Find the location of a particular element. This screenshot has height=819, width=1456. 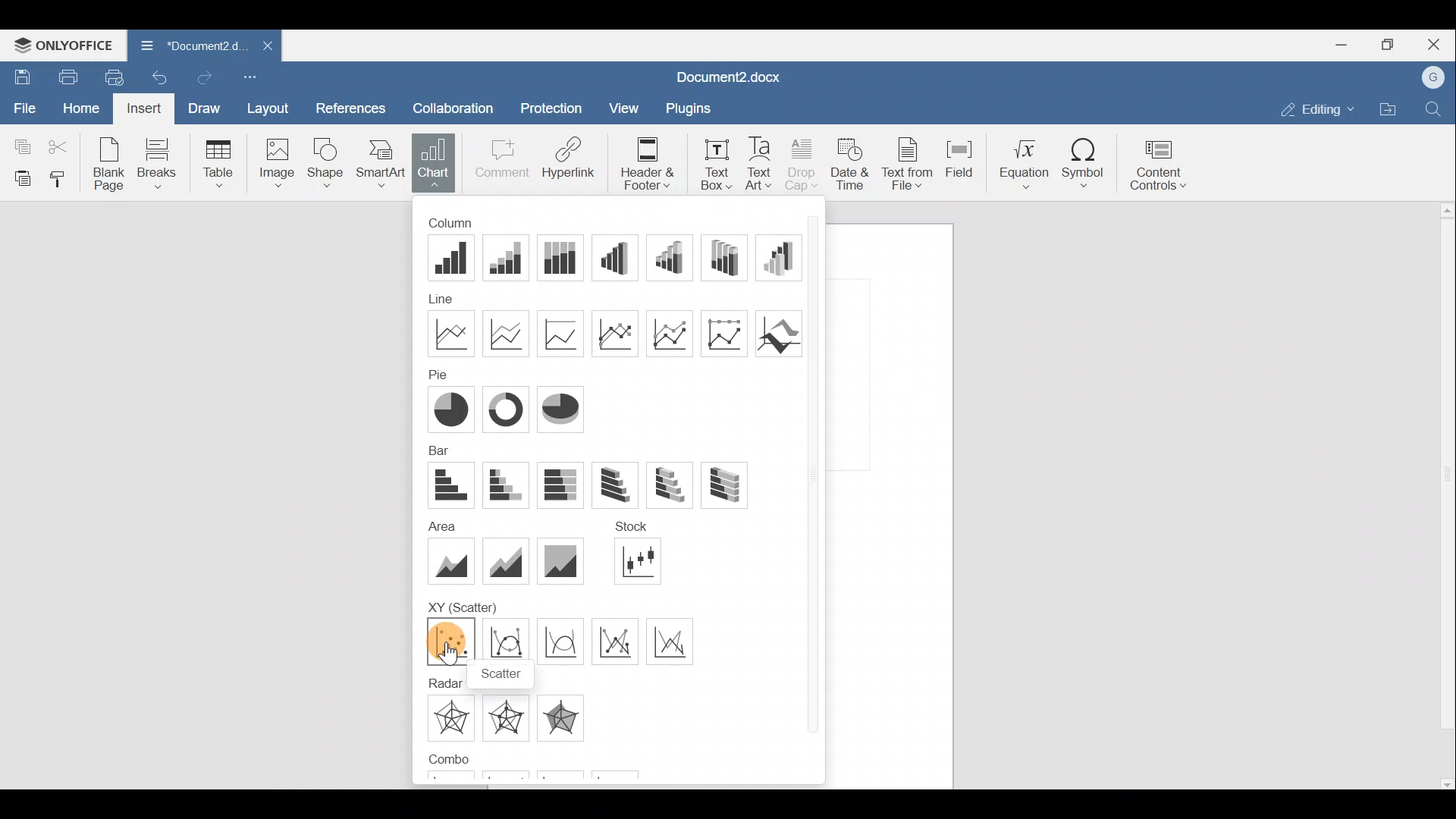

Scatter with straight lines is located at coordinates (677, 640).